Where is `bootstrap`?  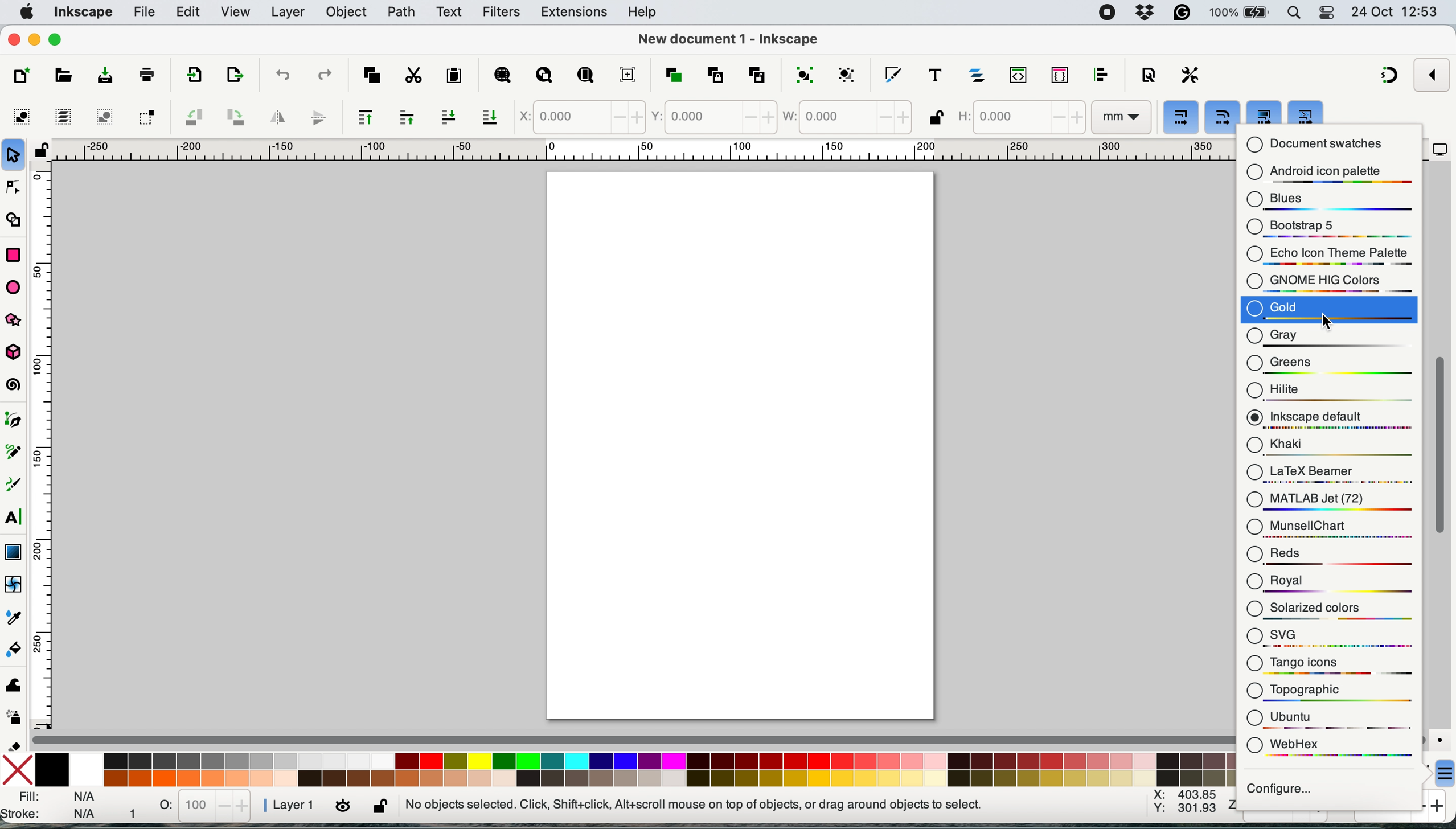
bootstrap is located at coordinates (1325, 227).